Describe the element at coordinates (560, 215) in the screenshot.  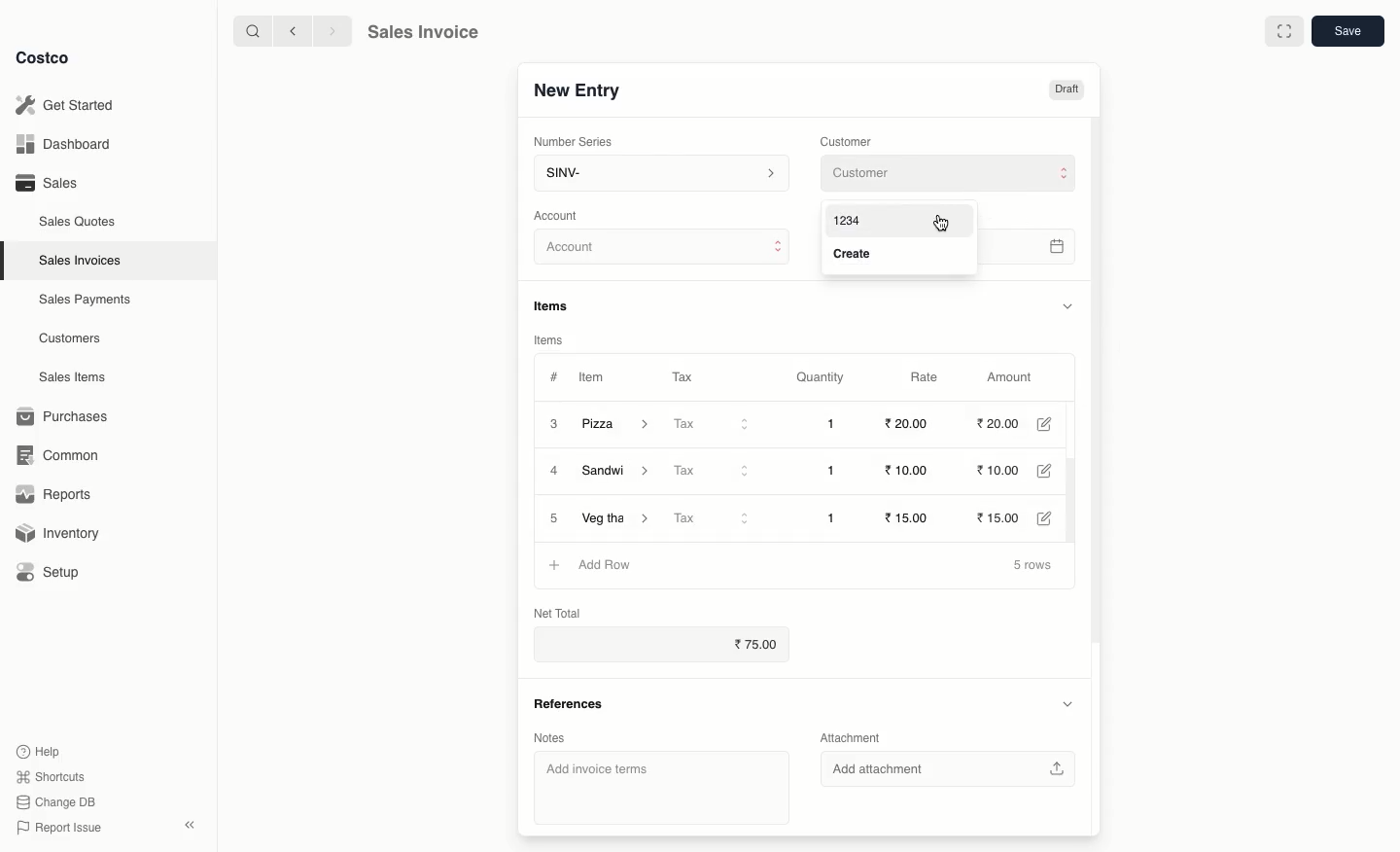
I see `‘Account` at that location.